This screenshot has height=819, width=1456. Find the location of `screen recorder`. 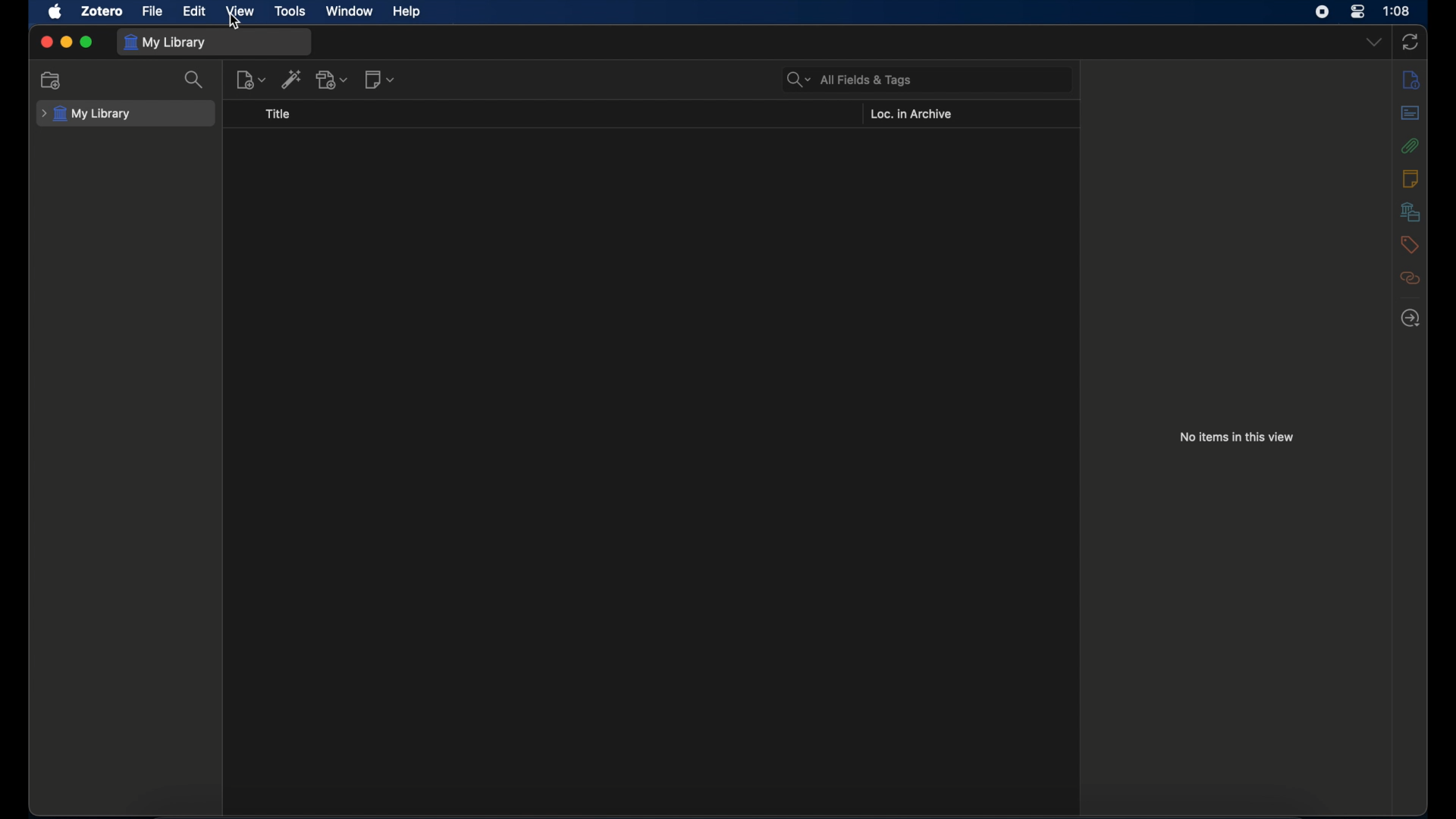

screen recorder is located at coordinates (1323, 12).